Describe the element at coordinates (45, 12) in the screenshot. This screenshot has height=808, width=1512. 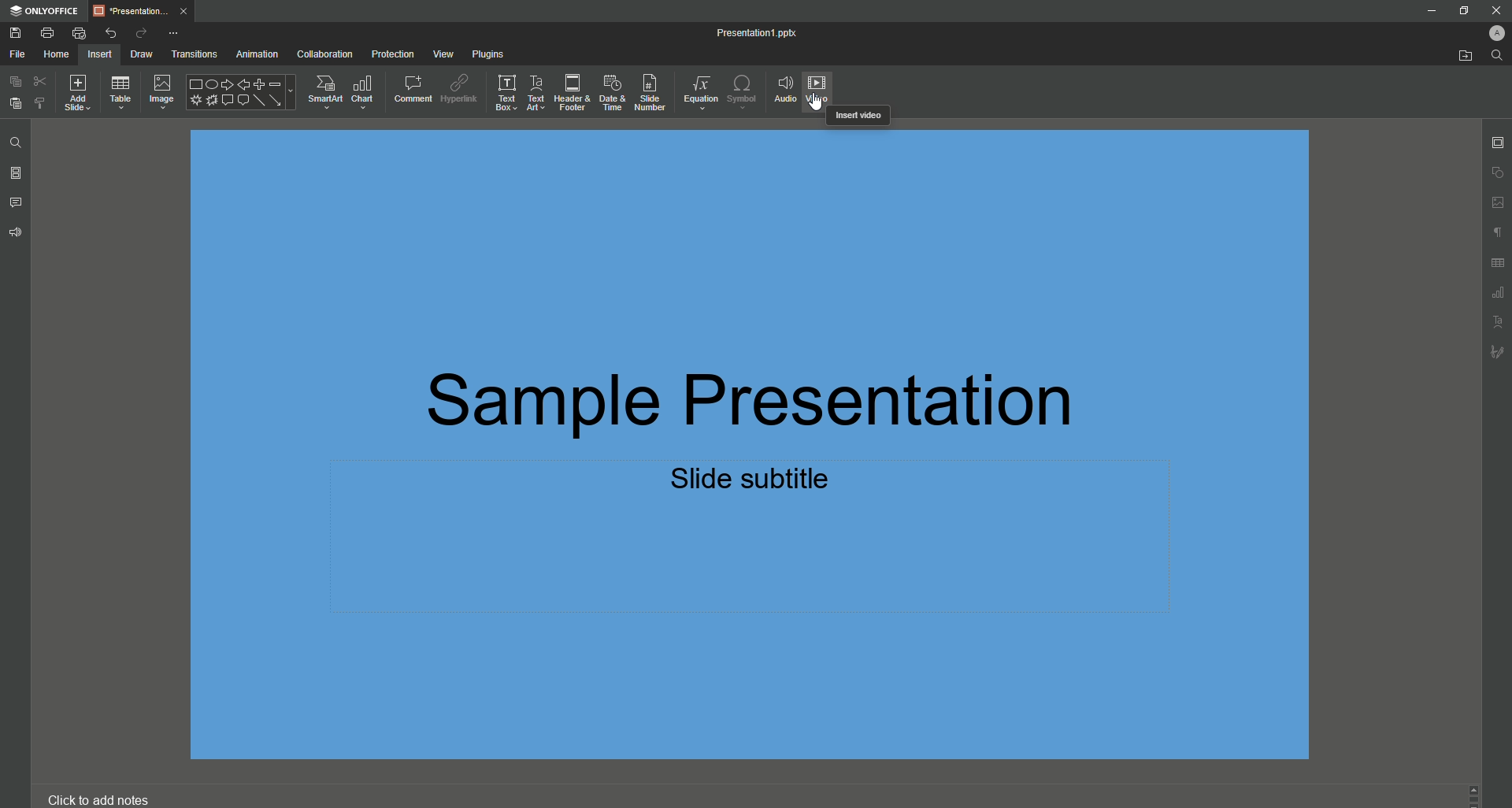
I see `ONLYOFFICE` at that location.